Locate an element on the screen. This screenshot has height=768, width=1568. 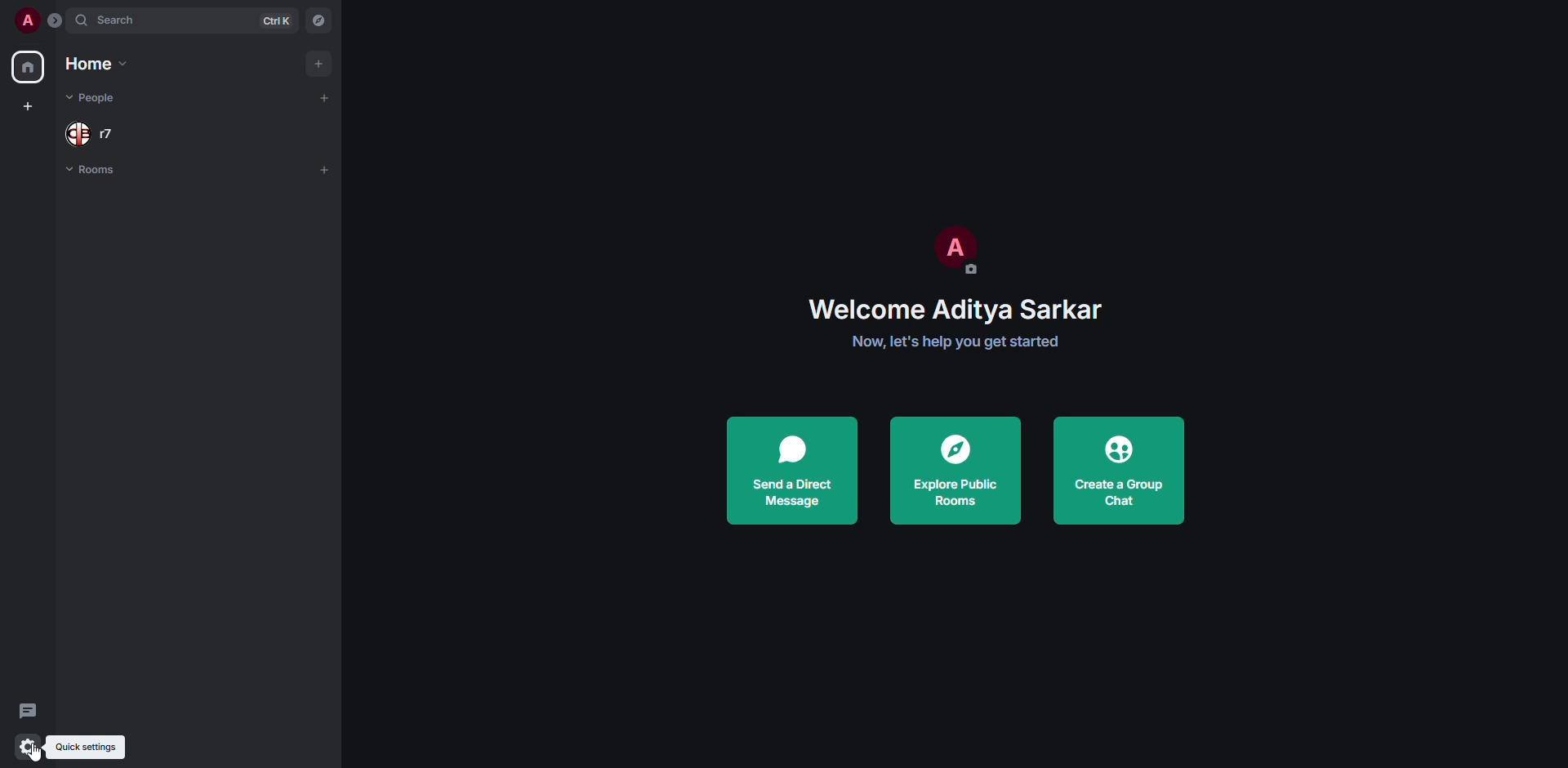
threads is located at coordinates (27, 708).